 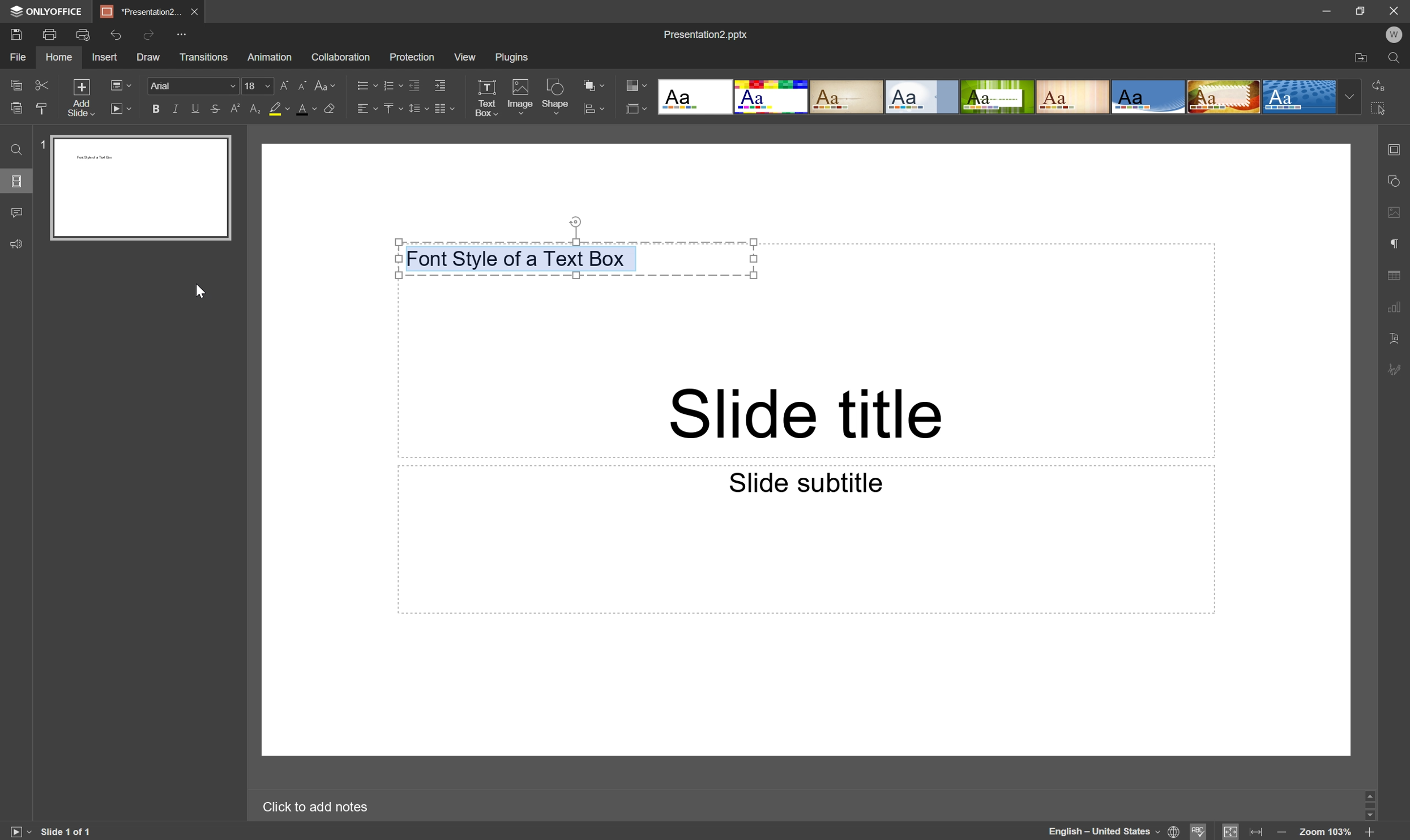 I want to click on Home, so click(x=59, y=57).